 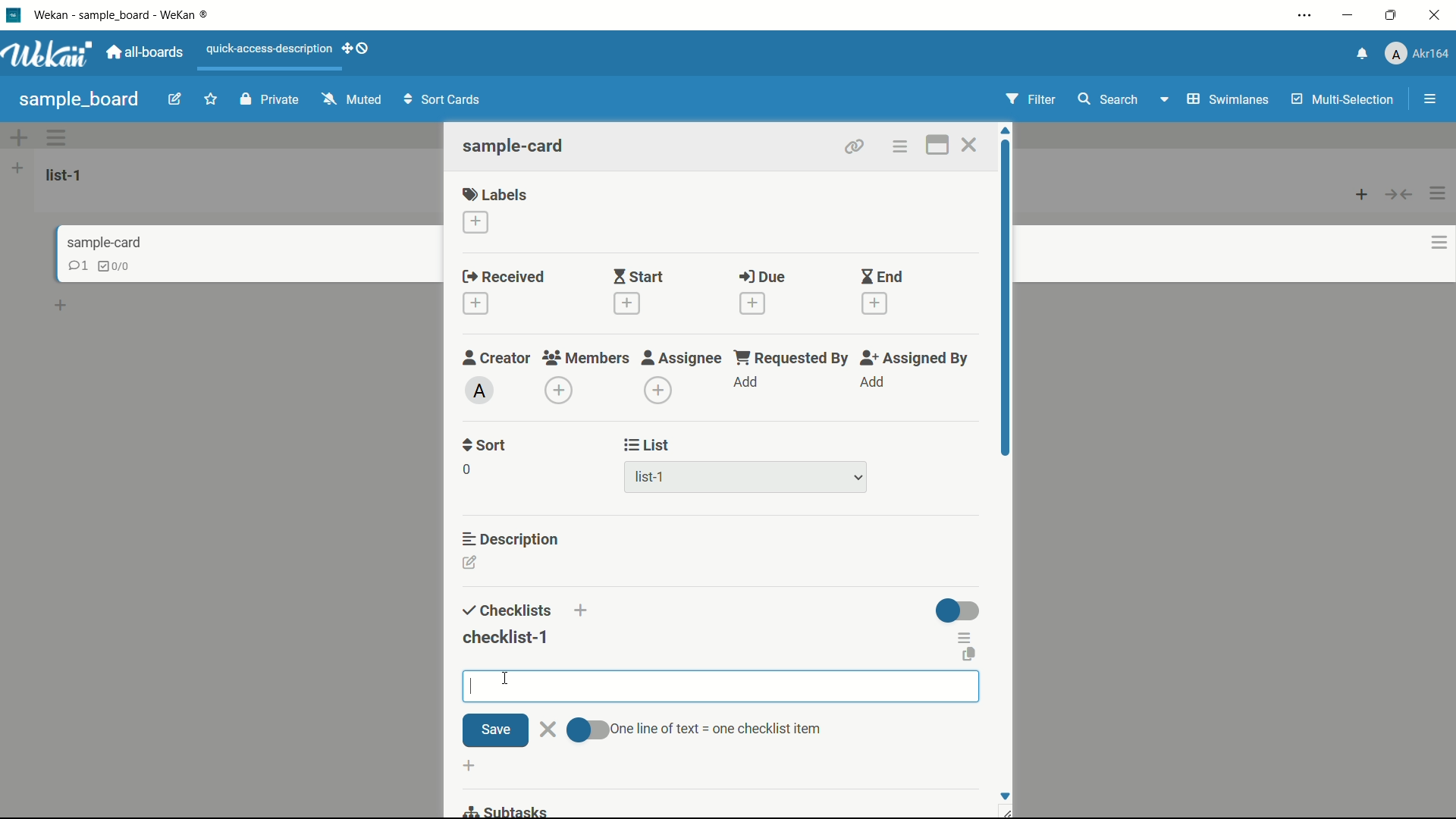 I want to click on edit description, so click(x=470, y=563).